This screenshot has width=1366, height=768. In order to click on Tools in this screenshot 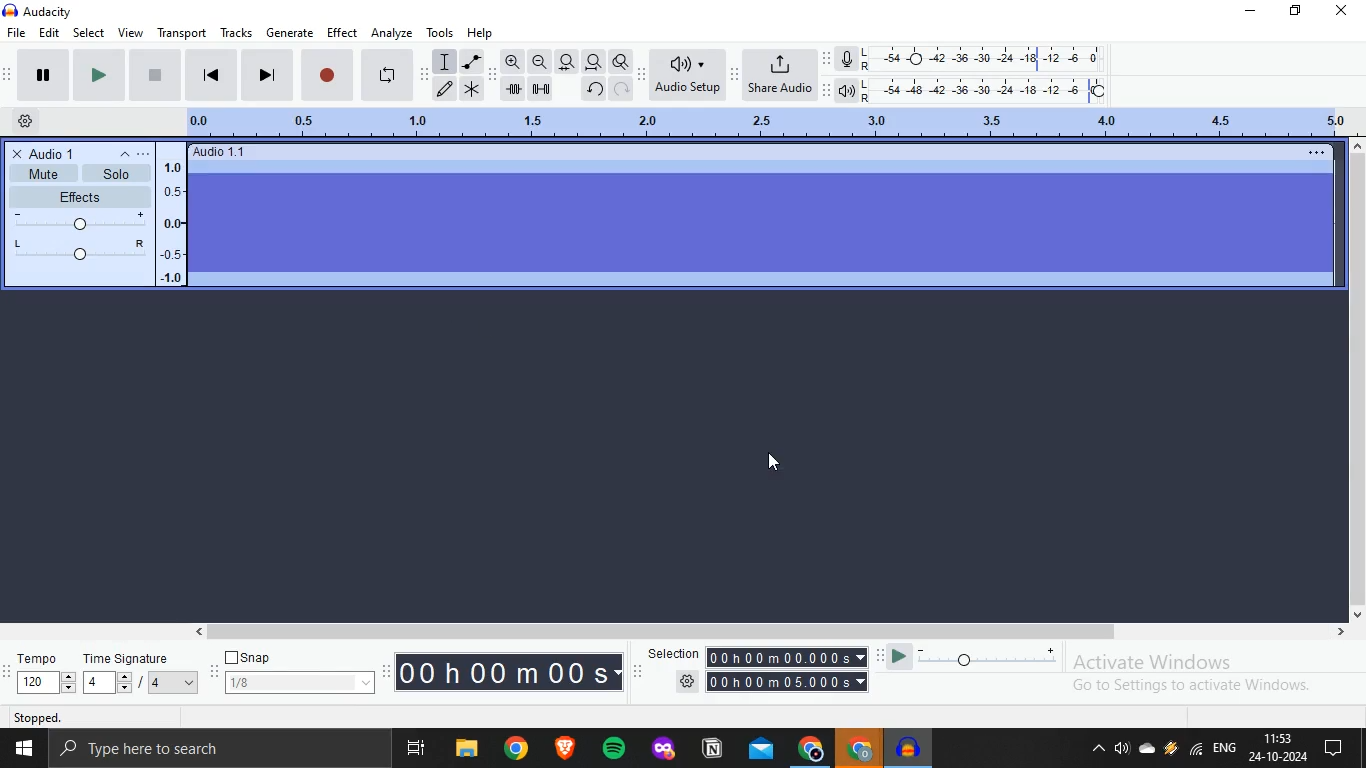, I will do `click(441, 31)`.